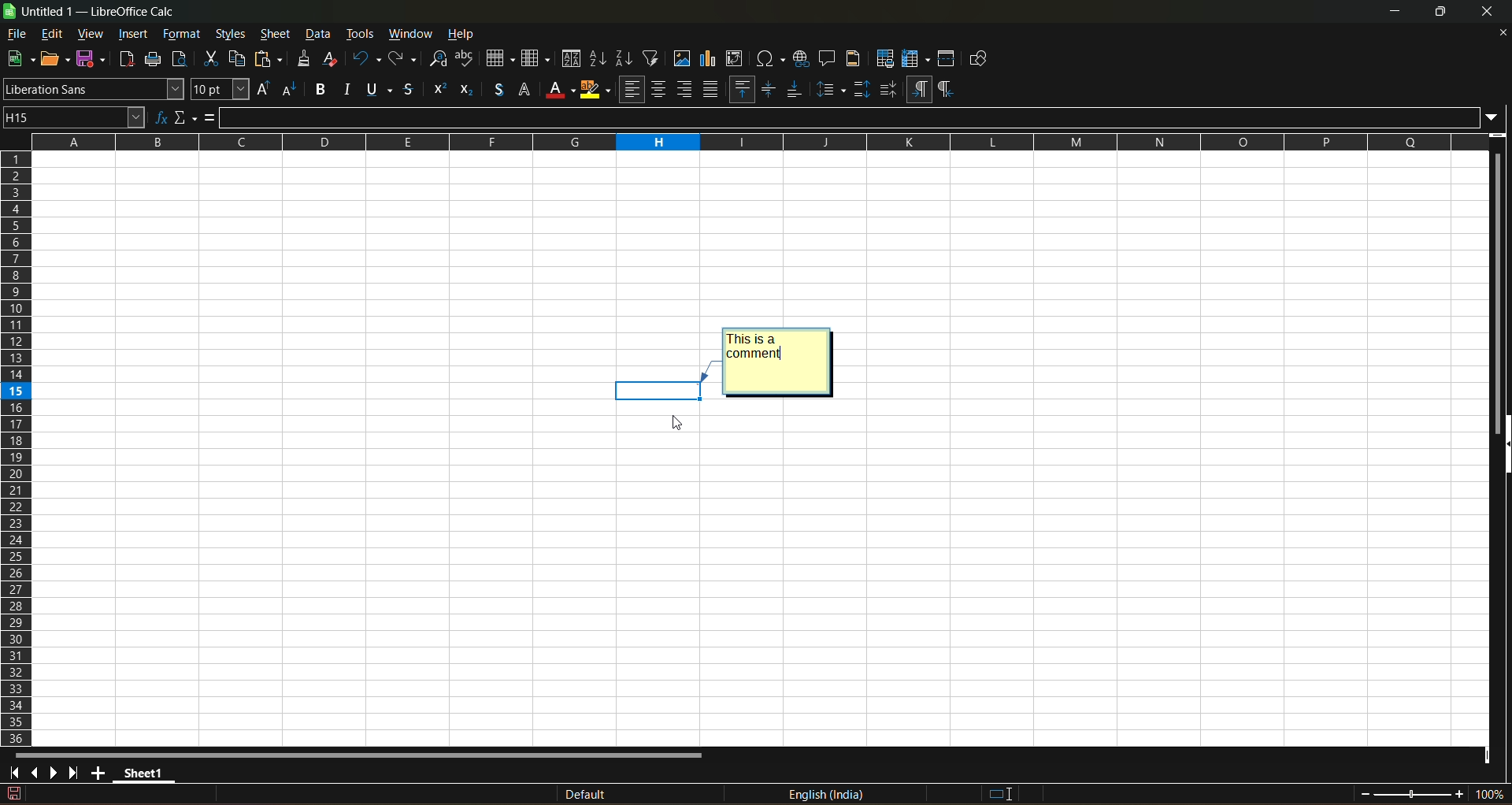 The height and width of the screenshot is (805, 1512). What do you see at coordinates (769, 58) in the screenshot?
I see `insert special characters` at bounding box center [769, 58].